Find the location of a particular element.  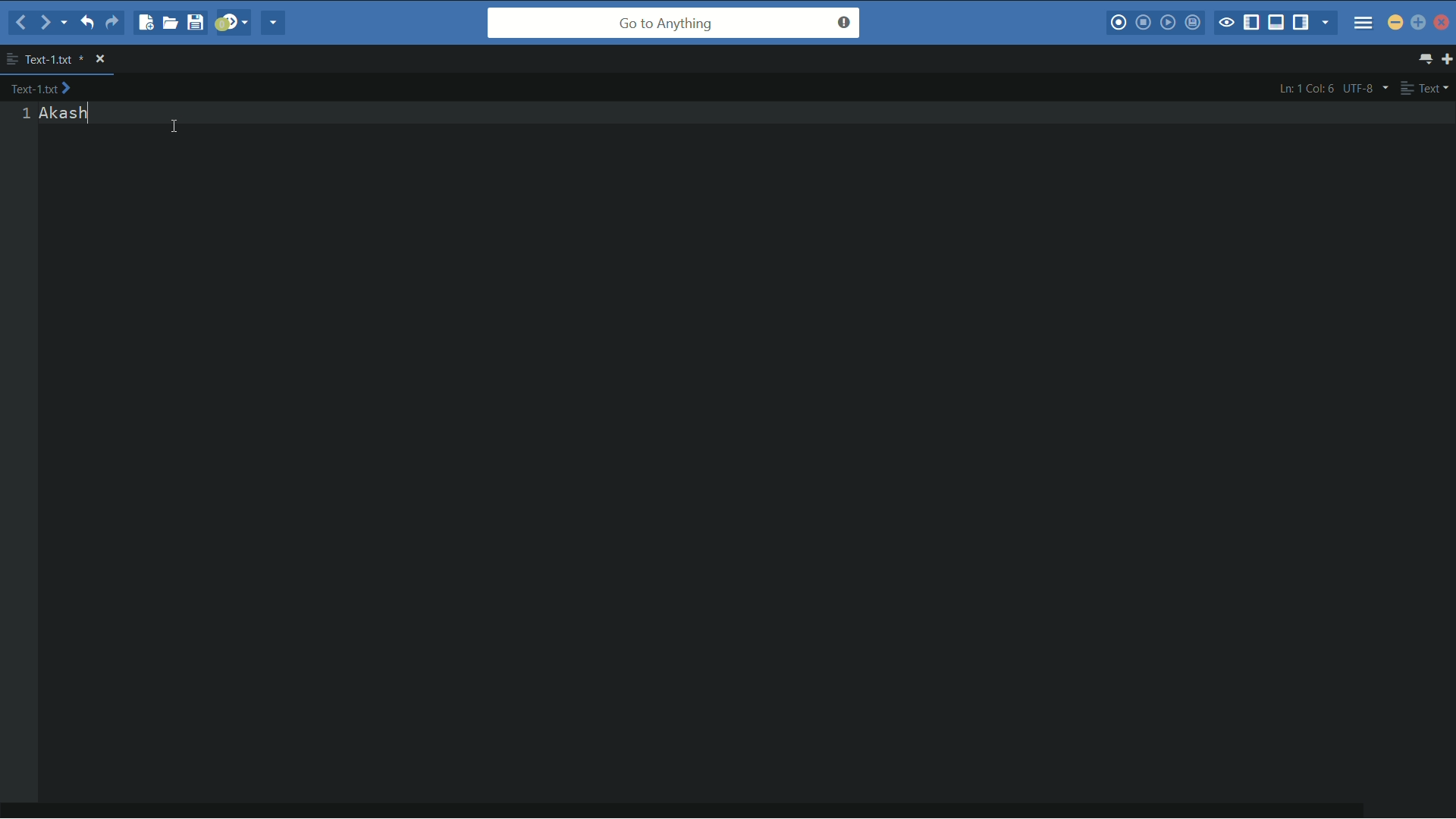

more options is located at coordinates (12, 59).